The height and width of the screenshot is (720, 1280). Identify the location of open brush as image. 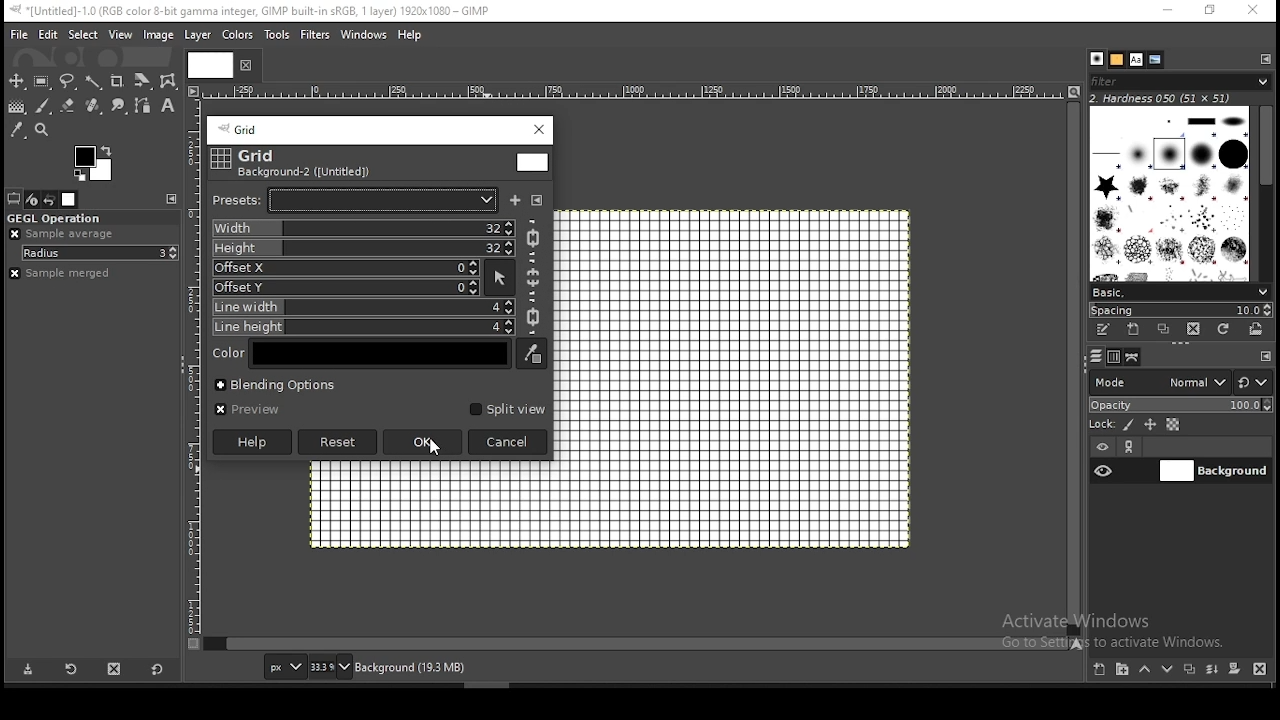
(1257, 329).